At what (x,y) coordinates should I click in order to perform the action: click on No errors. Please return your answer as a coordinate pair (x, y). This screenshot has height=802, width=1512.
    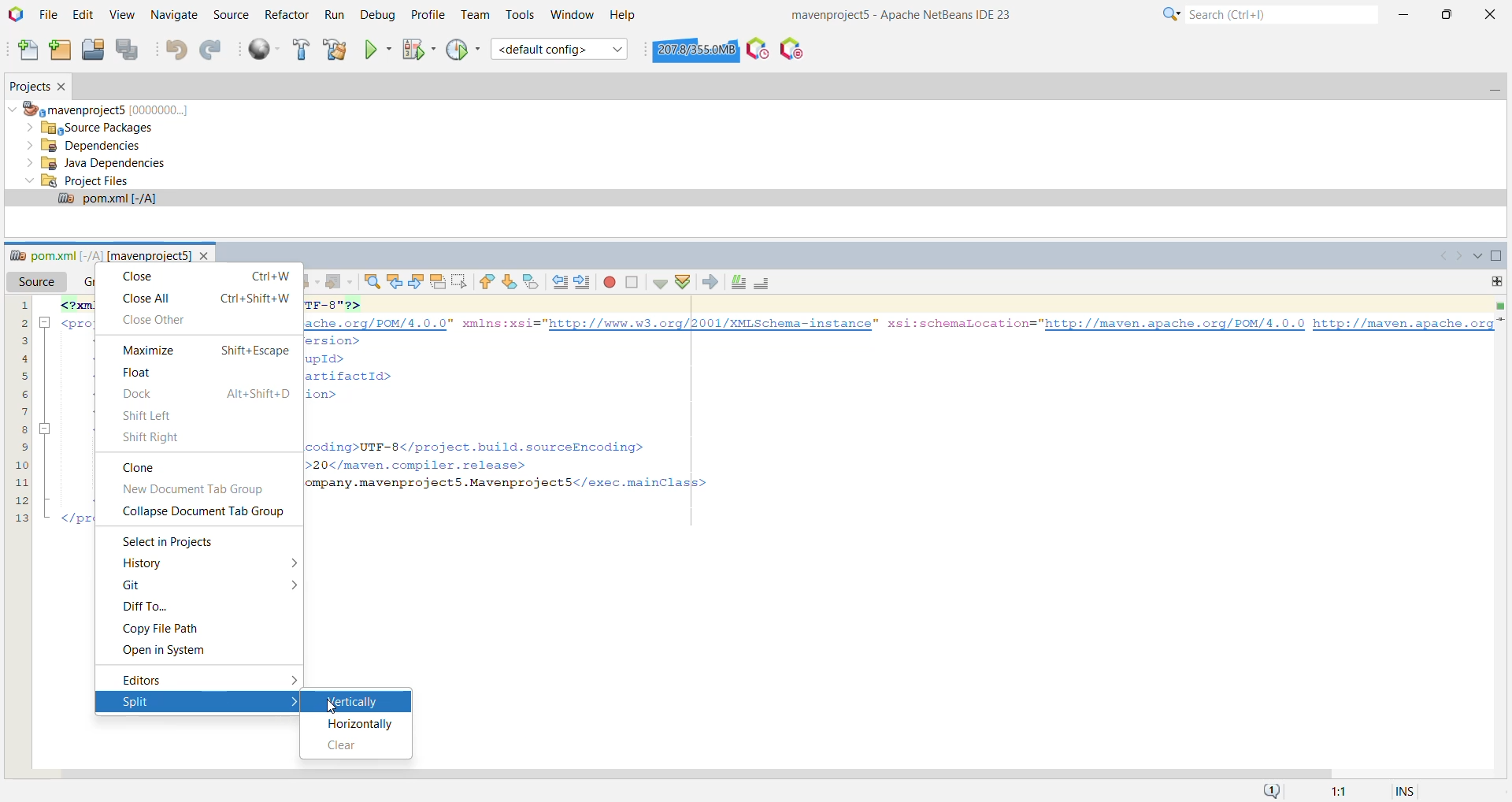
    Looking at the image, I should click on (1499, 305).